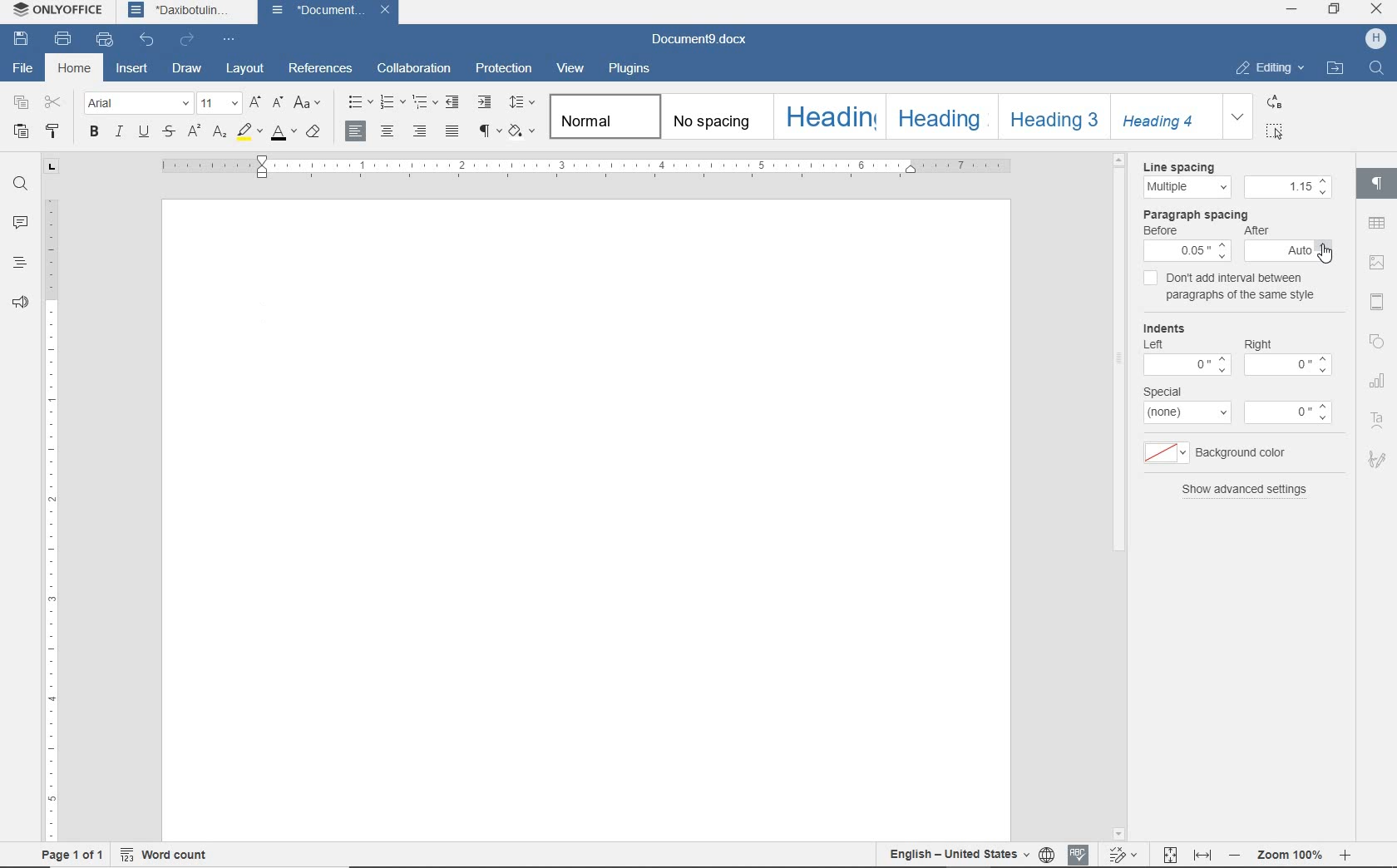 Image resolution: width=1397 pixels, height=868 pixels. What do you see at coordinates (1275, 102) in the screenshot?
I see `REPLACE` at bounding box center [1275, 102].